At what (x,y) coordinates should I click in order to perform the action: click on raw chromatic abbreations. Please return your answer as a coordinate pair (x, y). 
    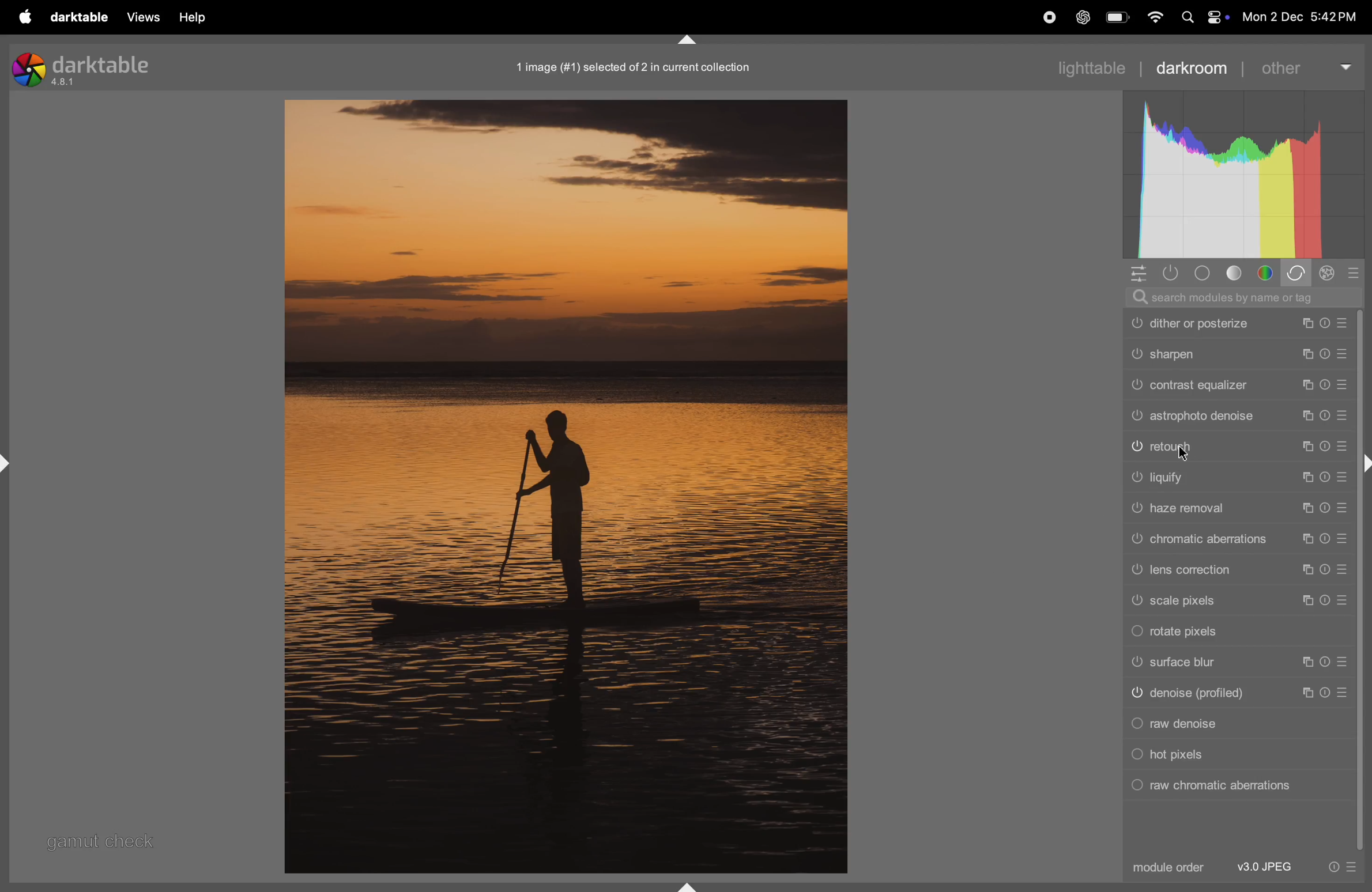
    Looking at the image, I should click on (1231, 786).